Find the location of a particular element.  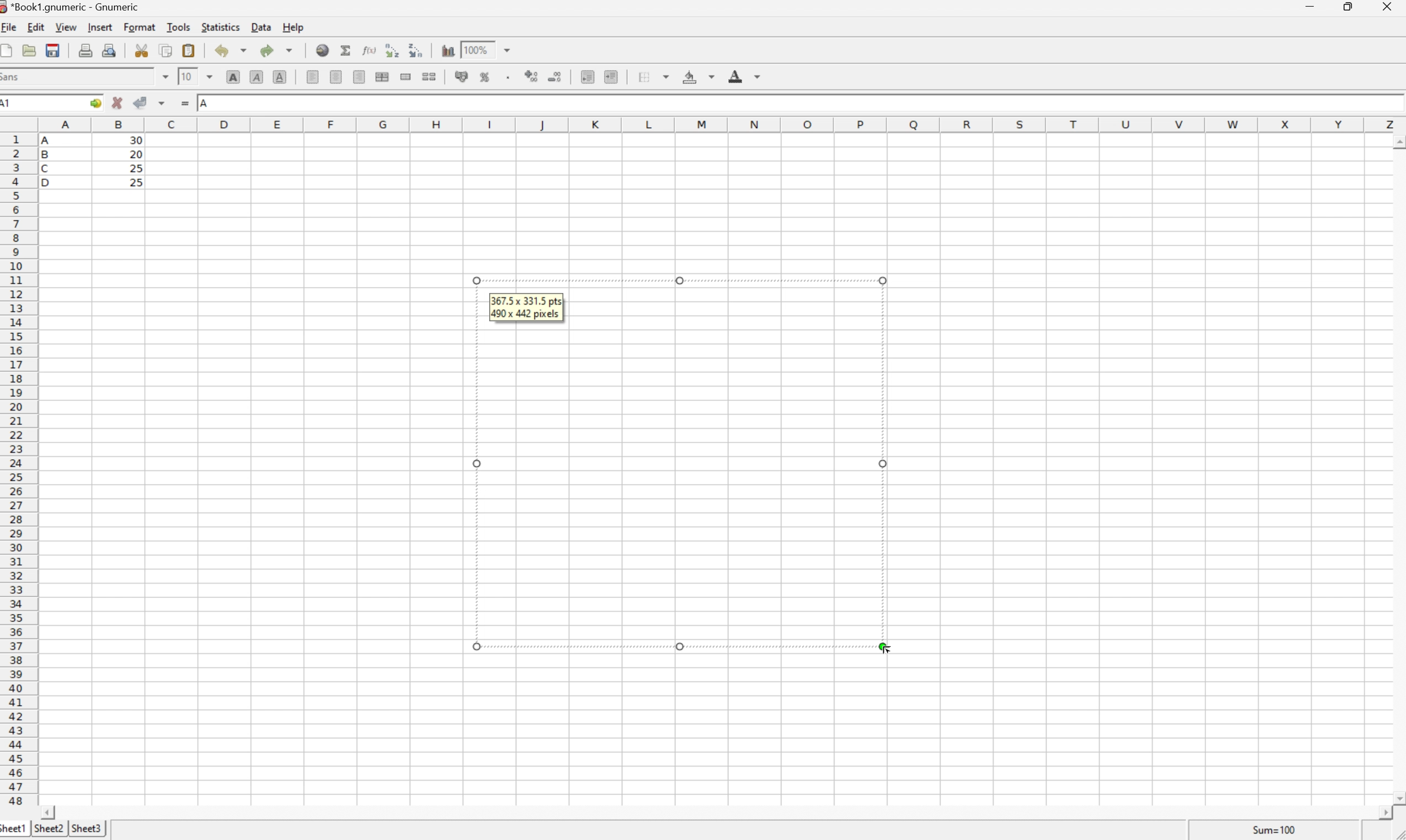

Drop Down is located at coordinates (164, 76).